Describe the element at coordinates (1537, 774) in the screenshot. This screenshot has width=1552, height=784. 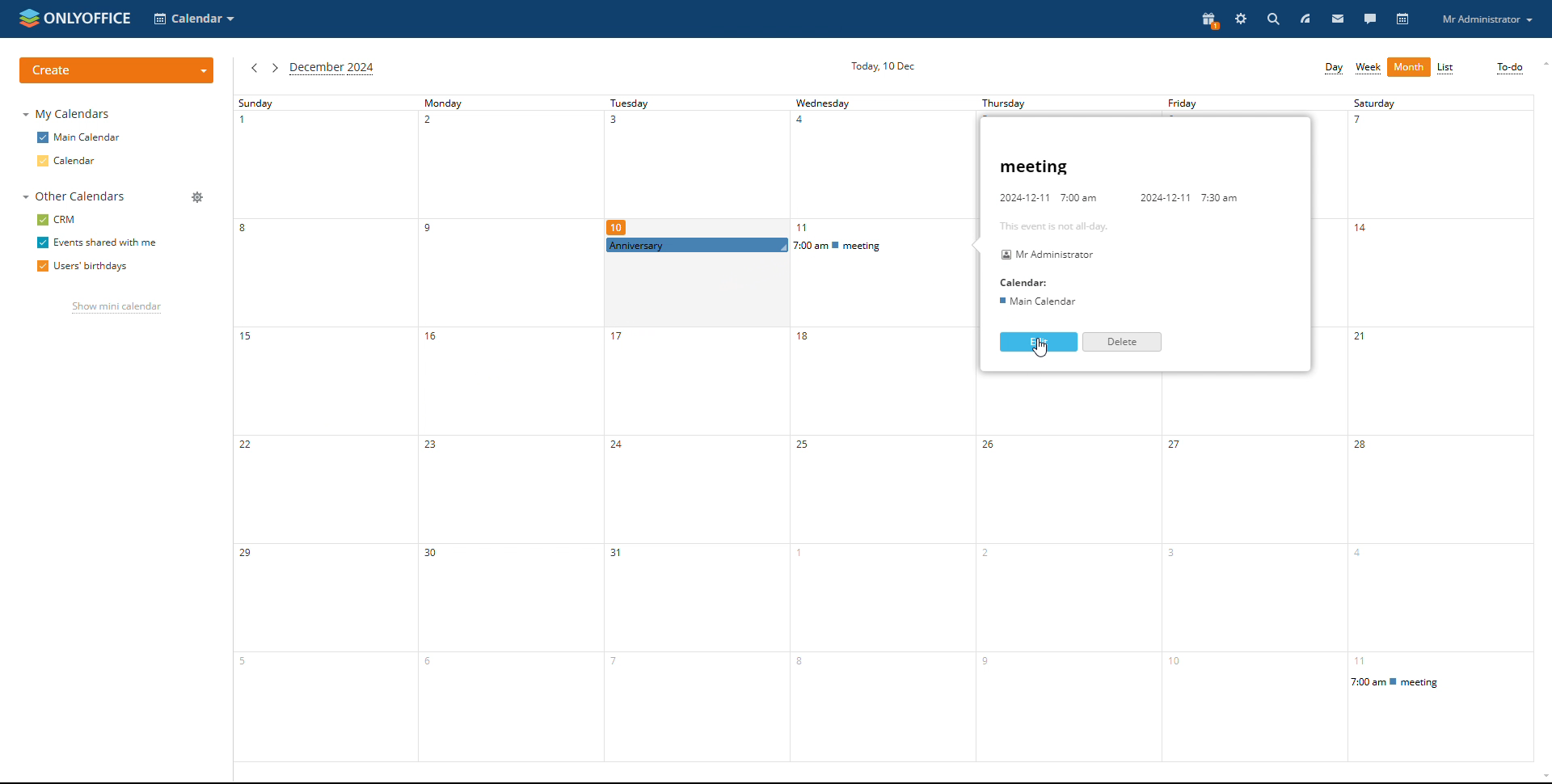
I see `scroll down` at that location.